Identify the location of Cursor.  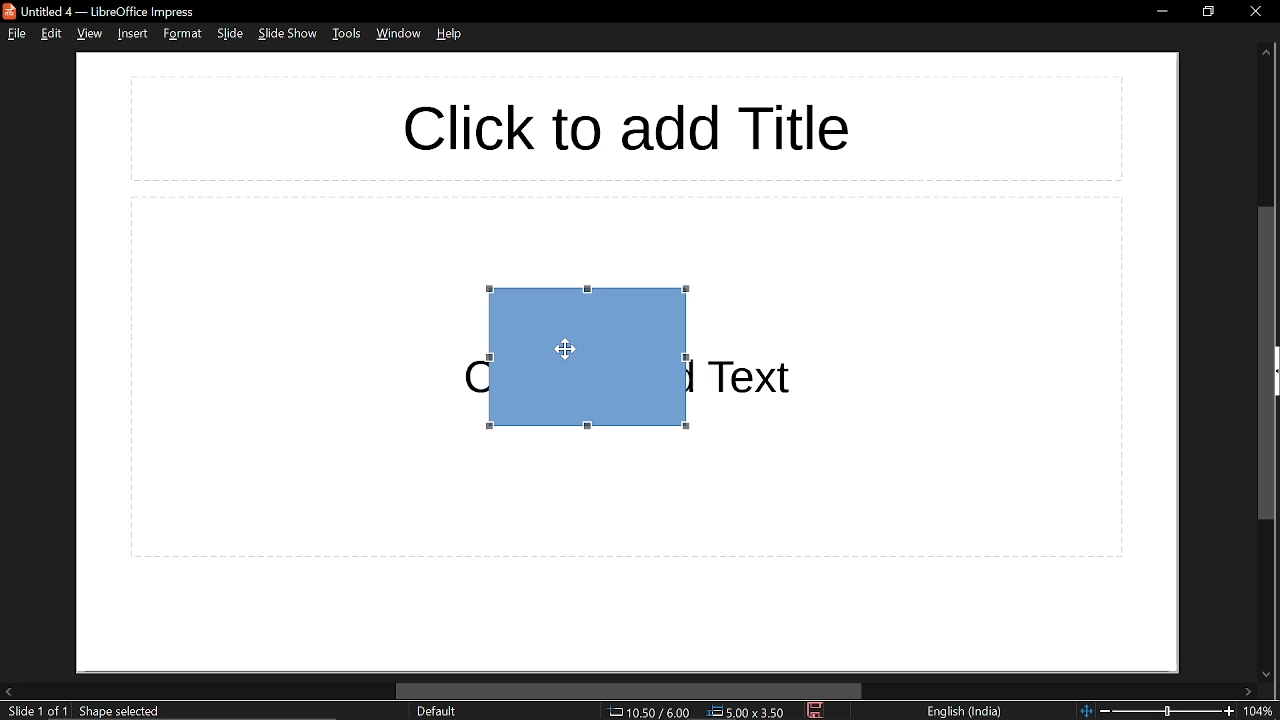
(562, 350).